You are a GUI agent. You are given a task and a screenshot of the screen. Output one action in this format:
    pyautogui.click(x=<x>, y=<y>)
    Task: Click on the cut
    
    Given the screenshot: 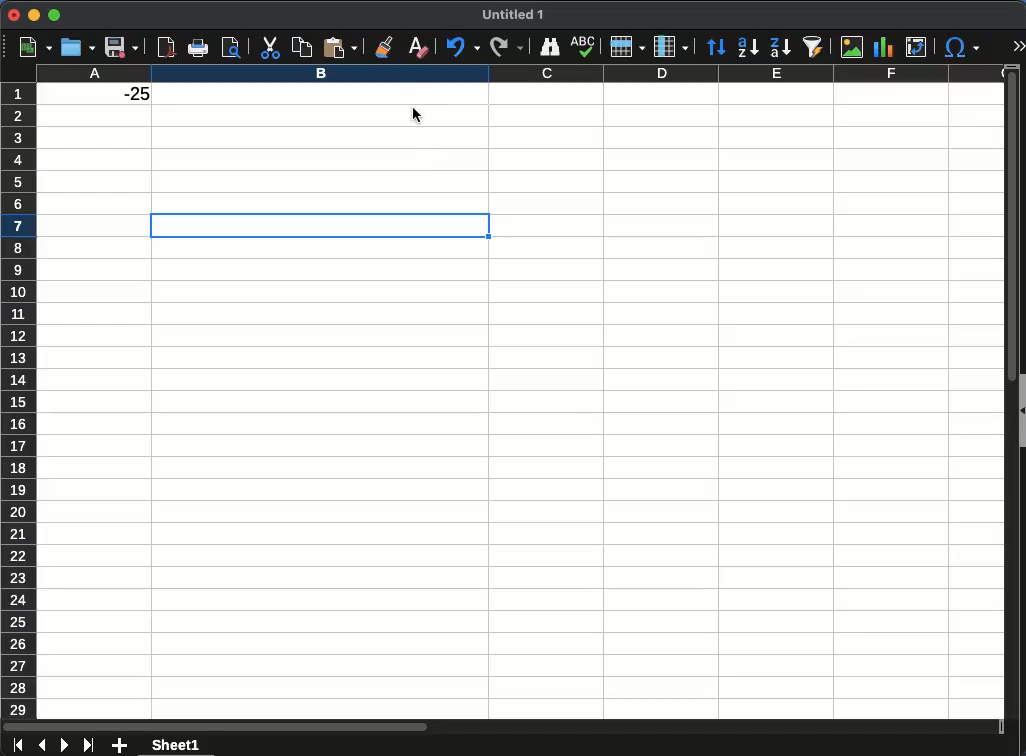 What is the action you would take?
    pyautogui.click(x=269, y=47)
    